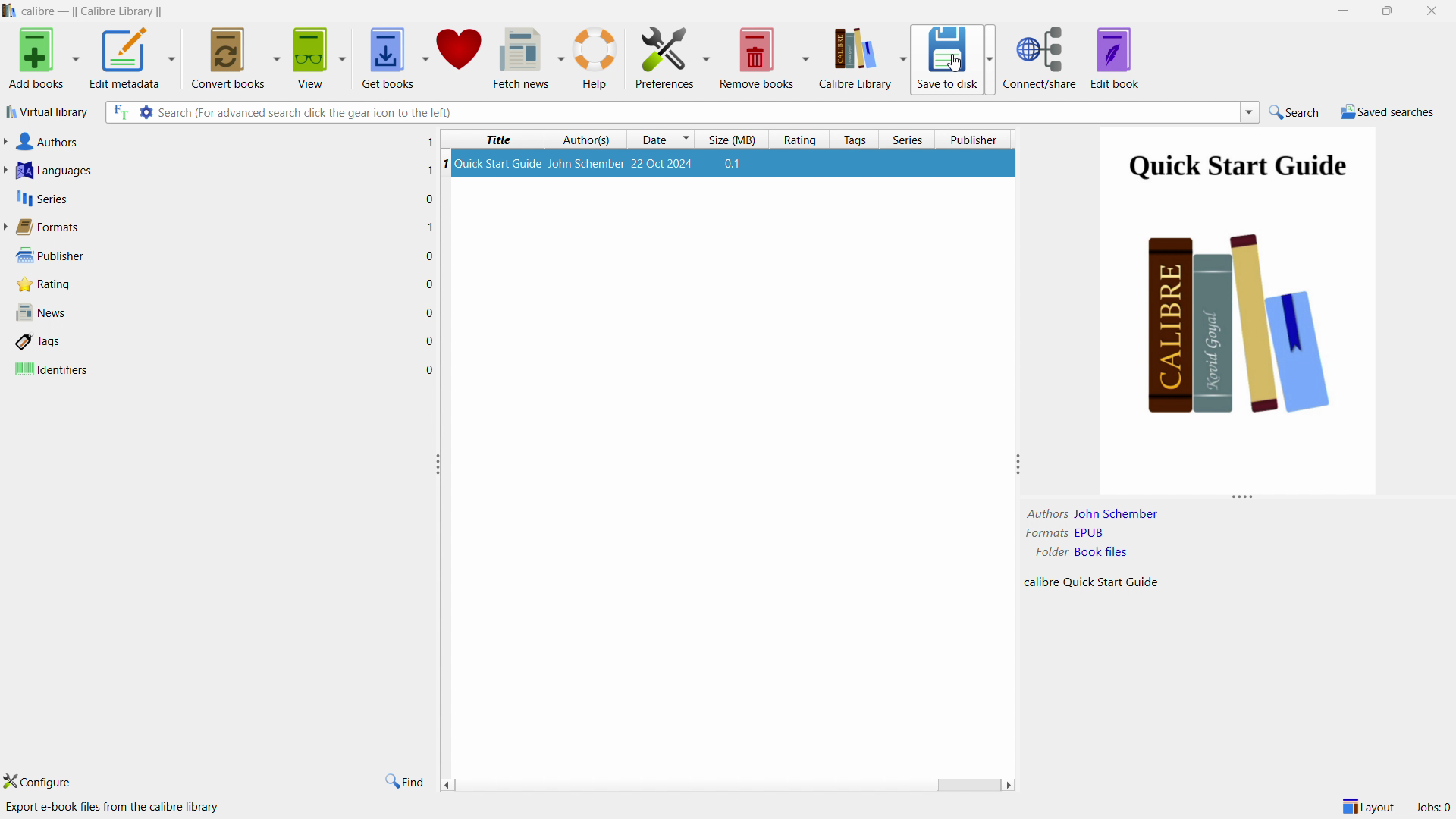 Image resolution: width=1456 pixels, height=819 pixels. What do you see at coordinates (1097, 585) in the screenshot?
I see `calibre Quick Start Guide` at bounding box center [1097, 585].